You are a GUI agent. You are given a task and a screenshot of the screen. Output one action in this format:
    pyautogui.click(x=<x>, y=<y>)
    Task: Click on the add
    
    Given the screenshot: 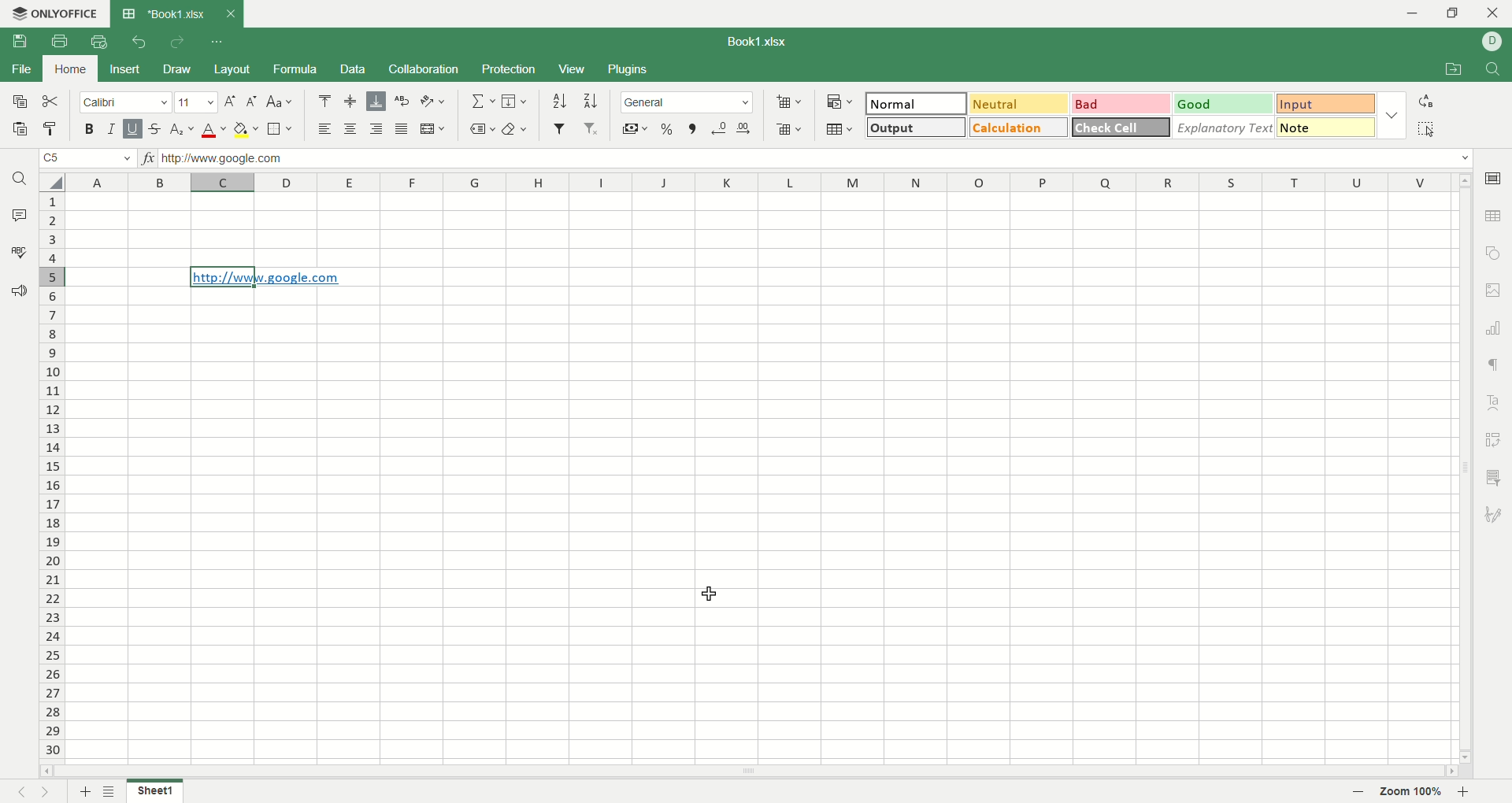 What is the action you would take?
    pyautogui.click(x=83, y=791)
    